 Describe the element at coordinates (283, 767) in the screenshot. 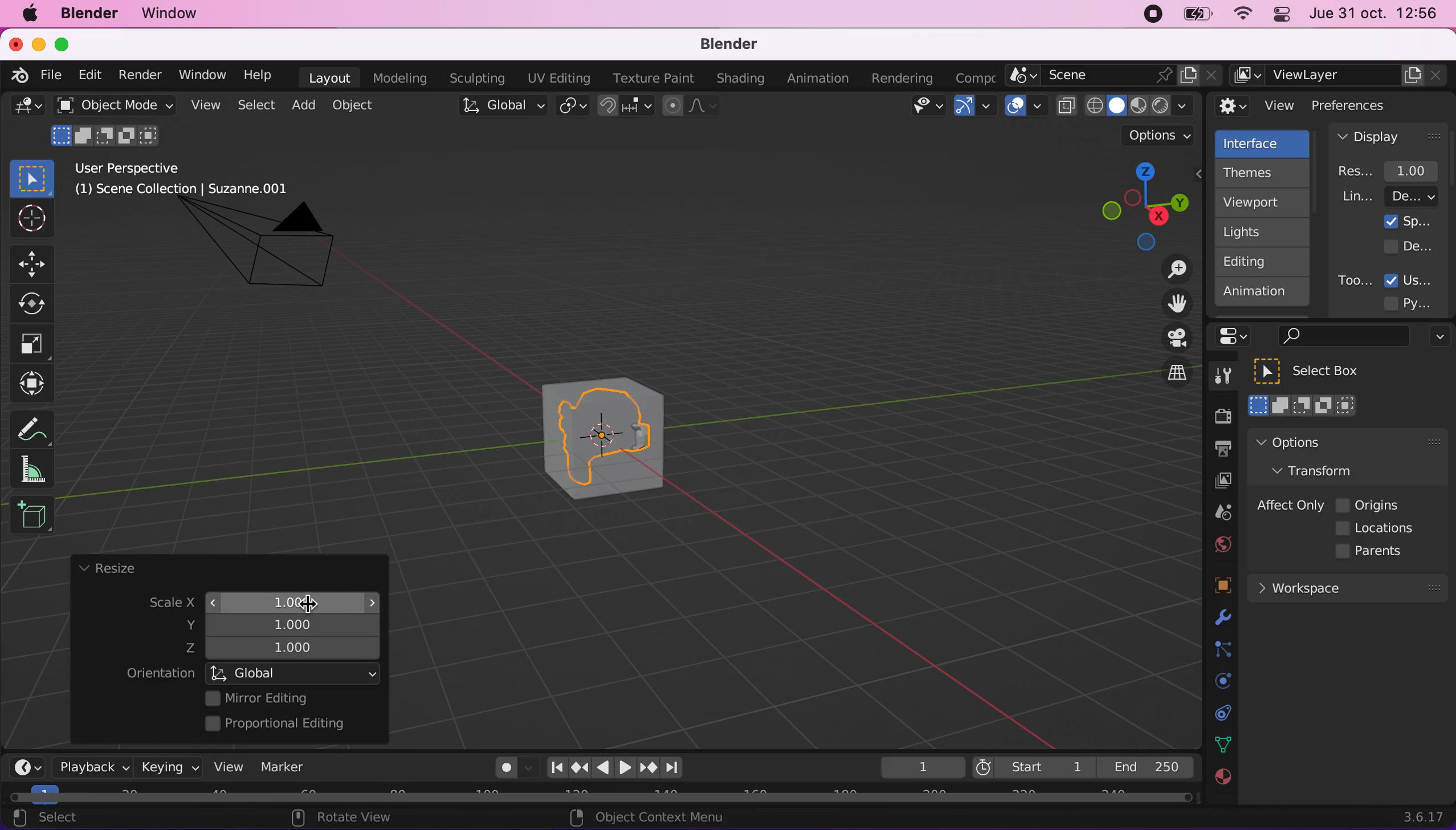

I see `marker` at that location.